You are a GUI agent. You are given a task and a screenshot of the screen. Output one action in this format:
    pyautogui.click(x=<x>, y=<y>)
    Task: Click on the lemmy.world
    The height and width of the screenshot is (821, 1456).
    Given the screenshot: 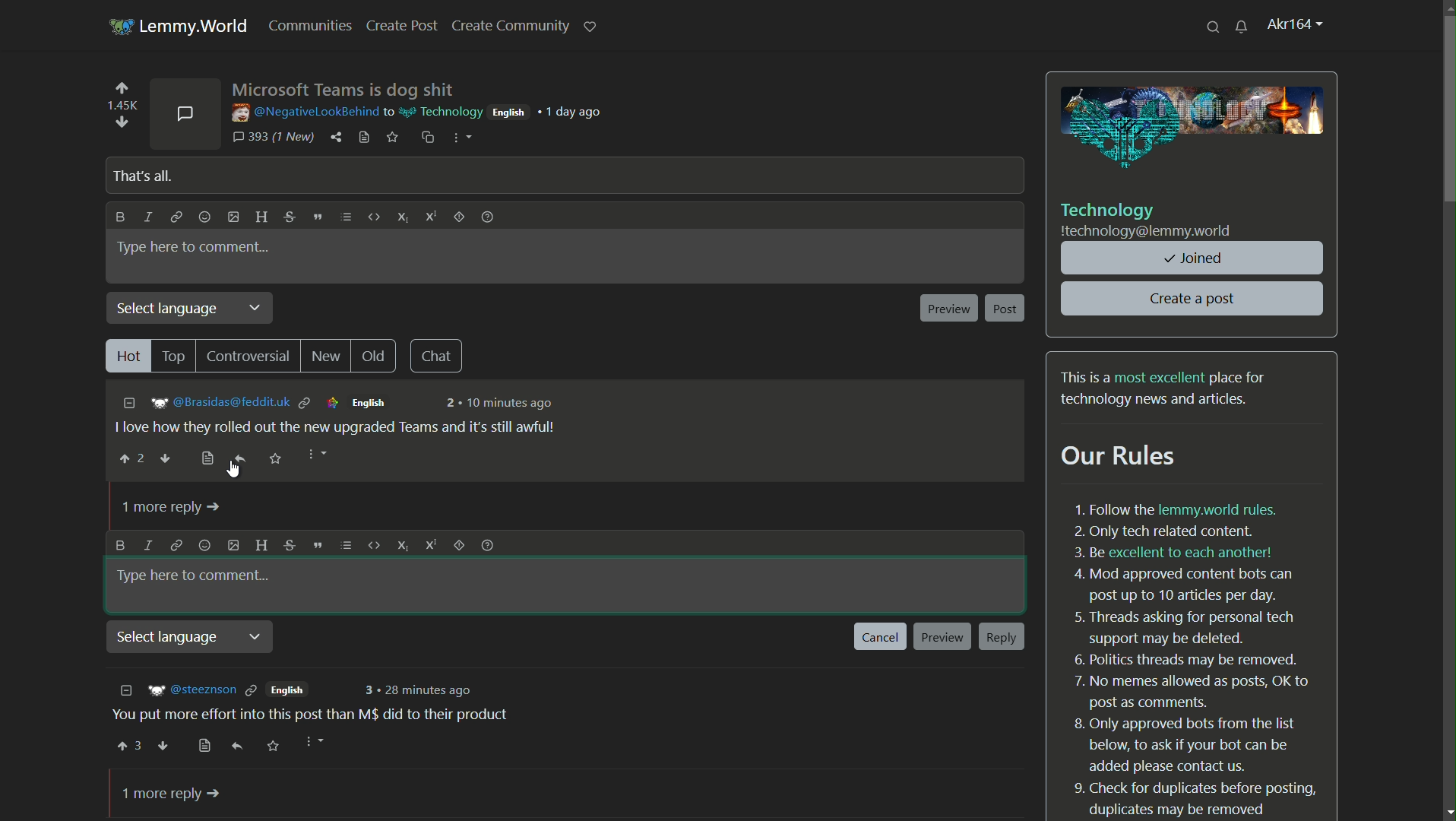 What is the action you would take?
    pyautogui.click(x=197, y=27)
    